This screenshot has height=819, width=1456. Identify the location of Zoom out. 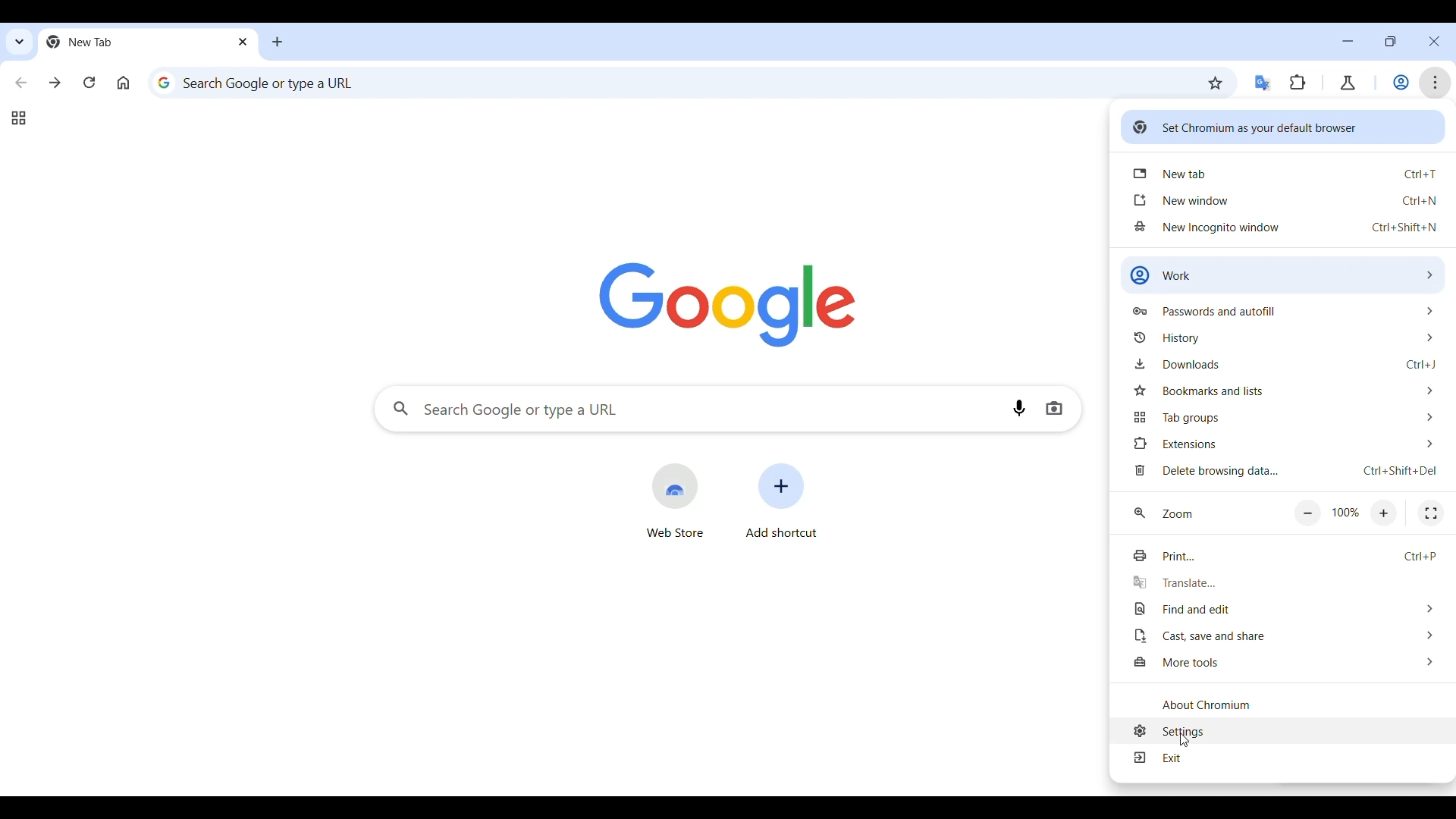
(1308, 513).